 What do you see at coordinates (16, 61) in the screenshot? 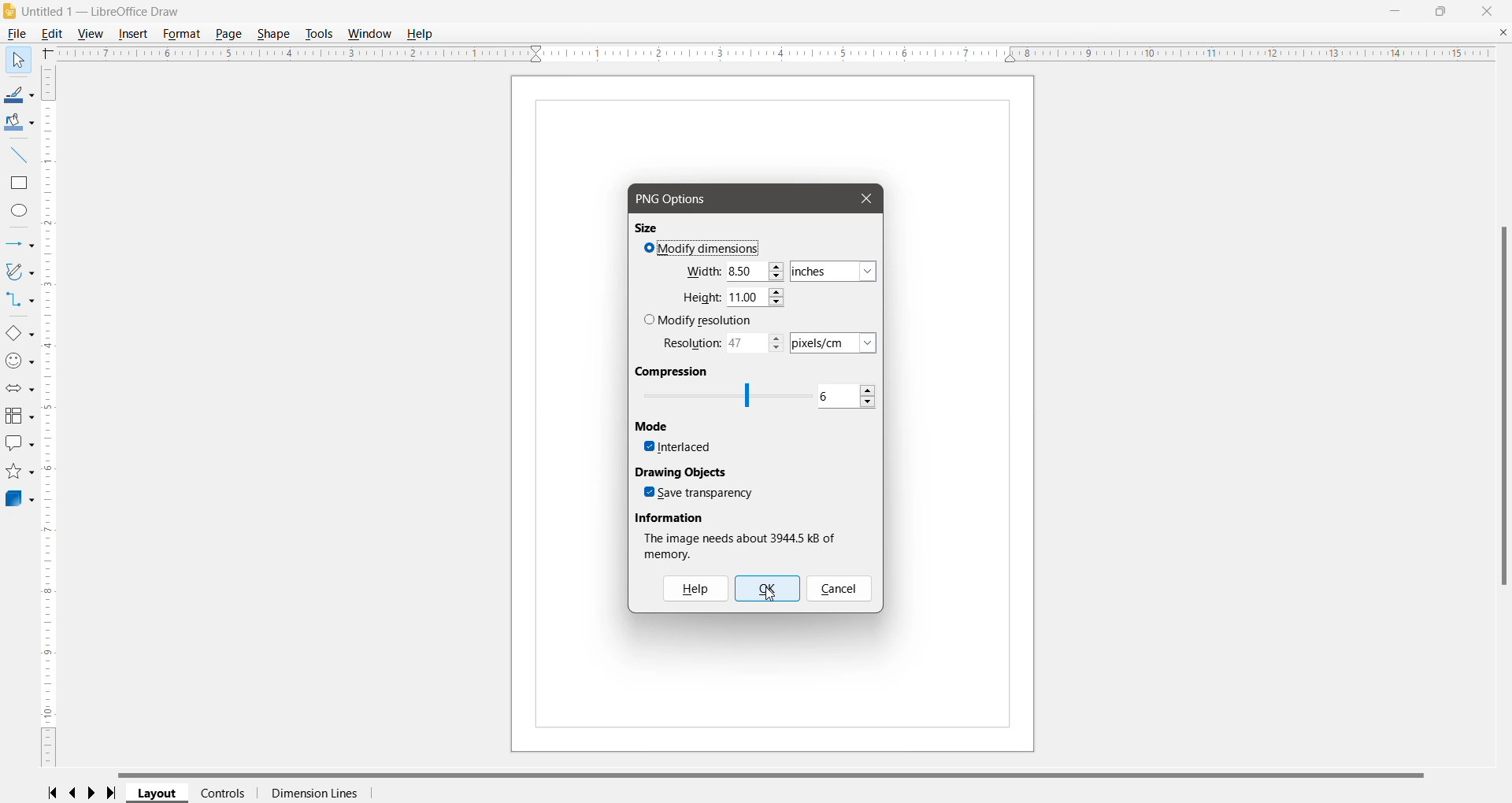
I see `Help` at bounding box center [16, 61].